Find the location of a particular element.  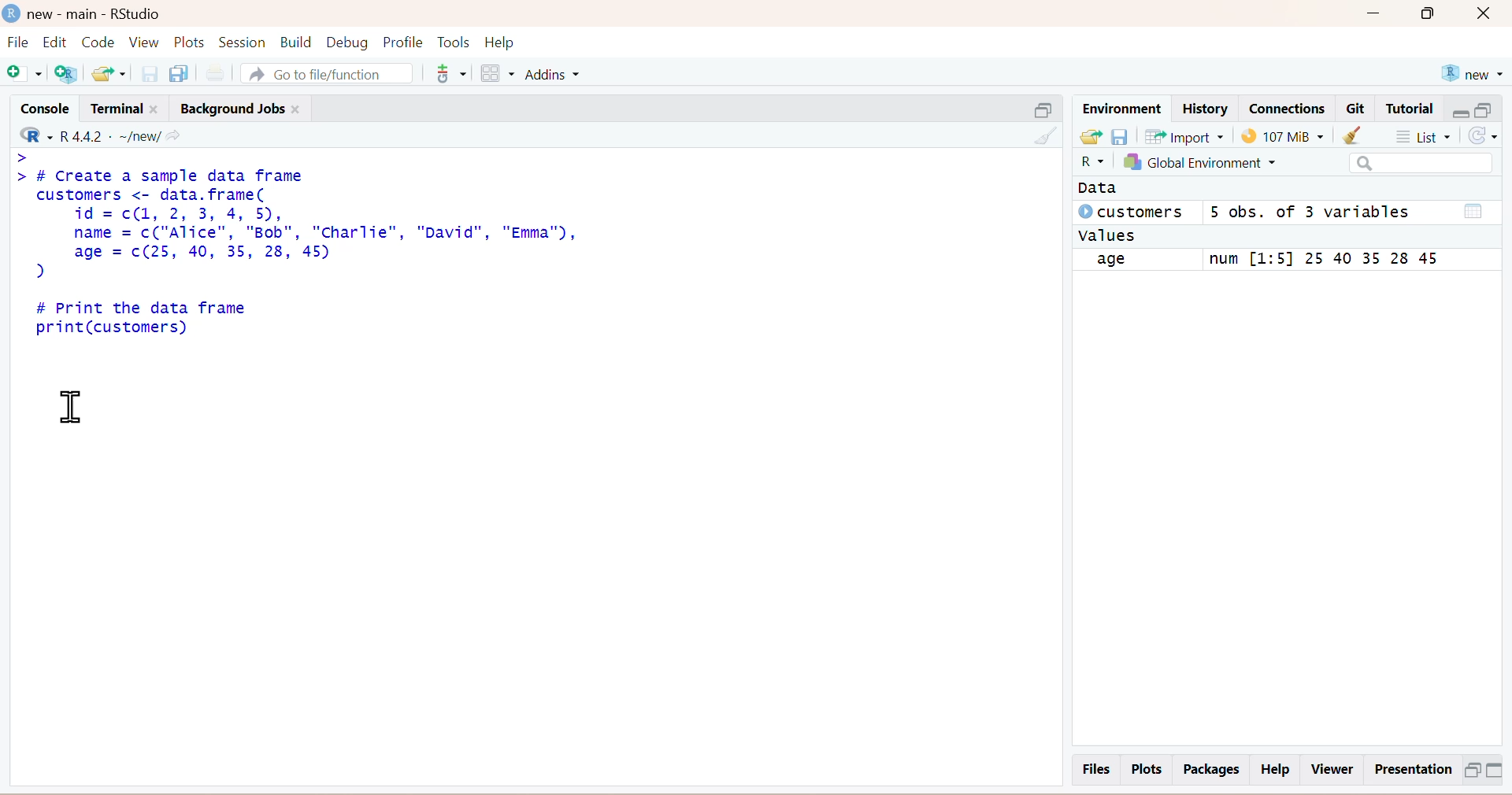

minimise is located at coordinates (1459, 109).